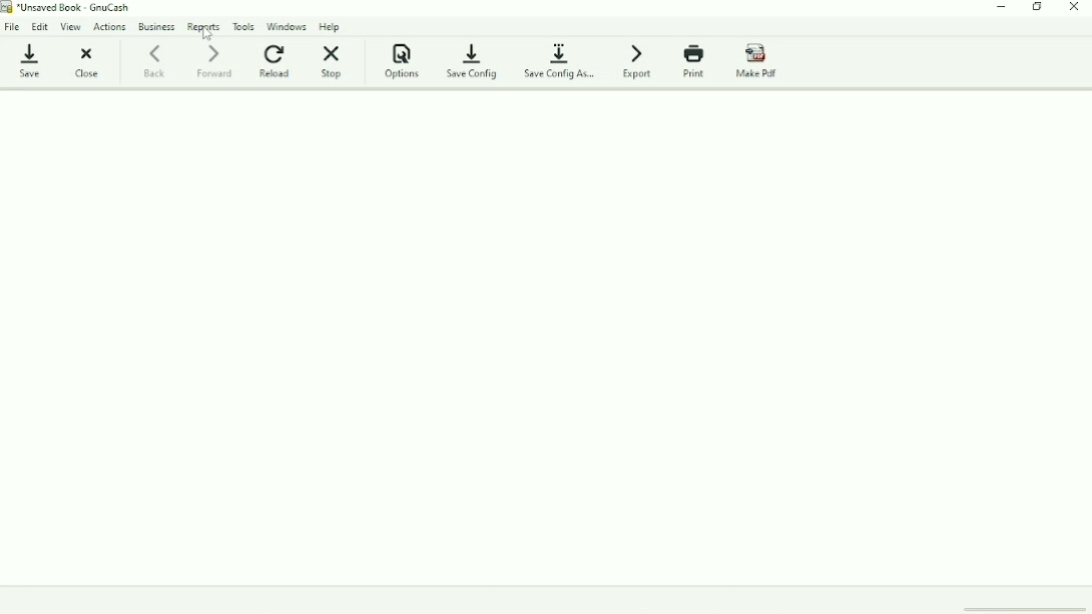 The height and width of the screenshot is (614, 1092). What do you see at coordinates (85, 61) in the screenshot?
I see `Close` at bounding box center [85, 61].